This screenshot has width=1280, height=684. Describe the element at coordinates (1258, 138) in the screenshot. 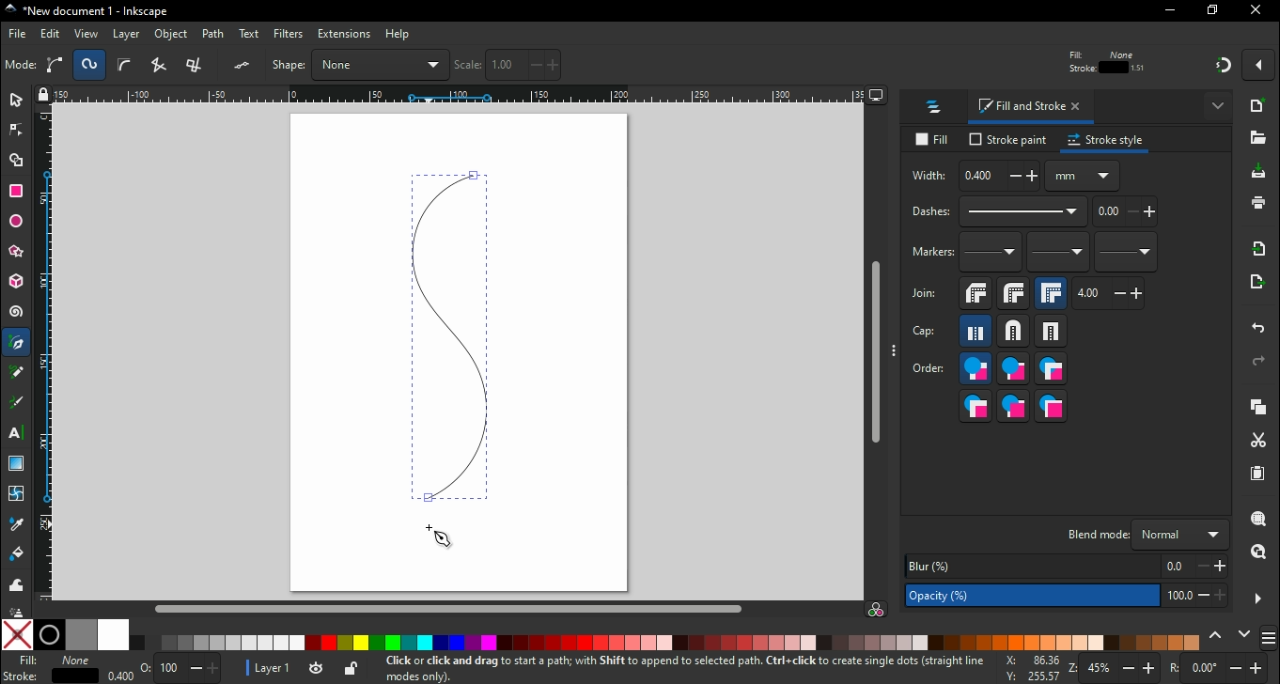

I see `open file dialogue` at that location.